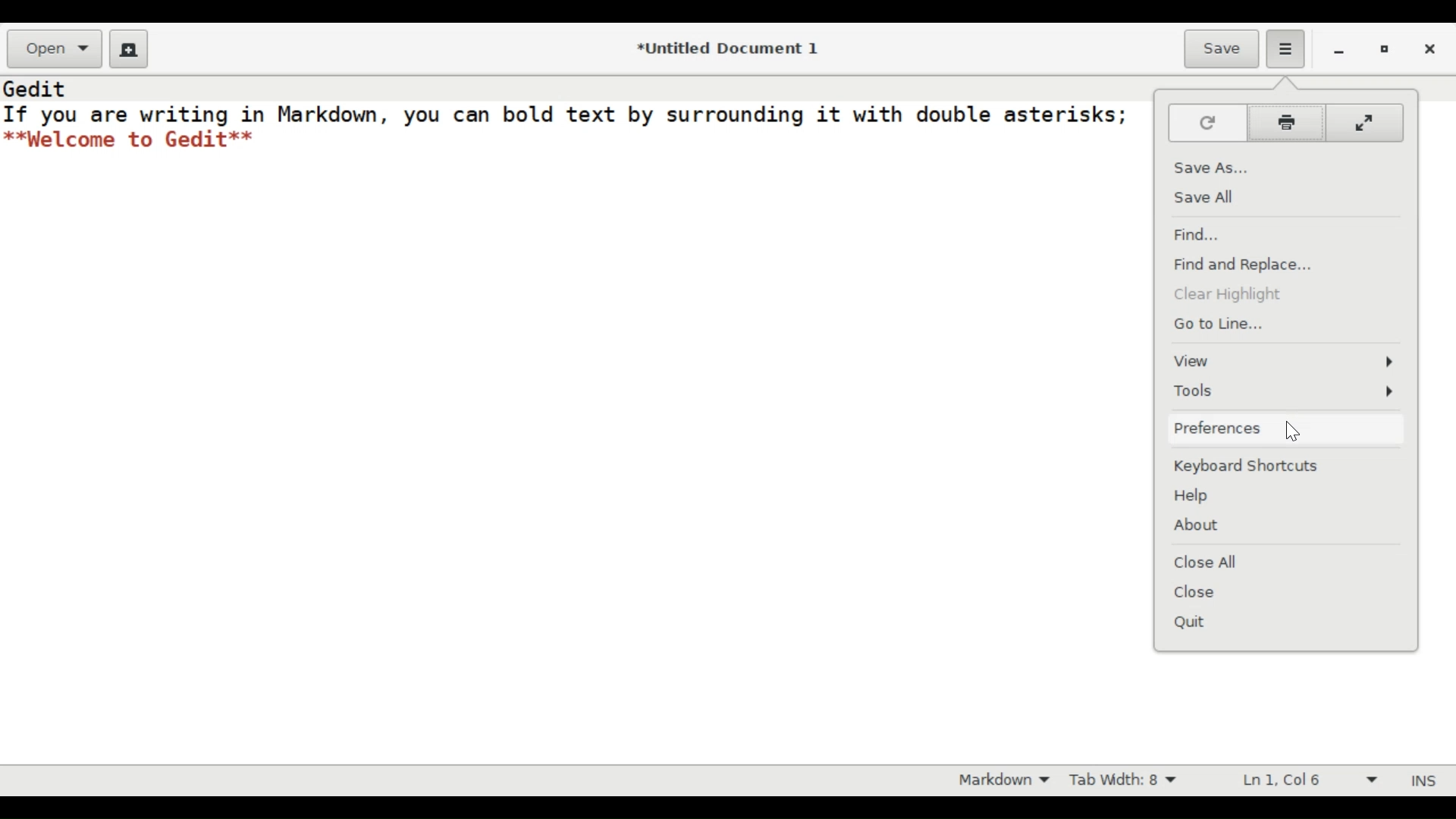 The image size is (1456, 819). I want to click on full screen, so click(1365, 123).